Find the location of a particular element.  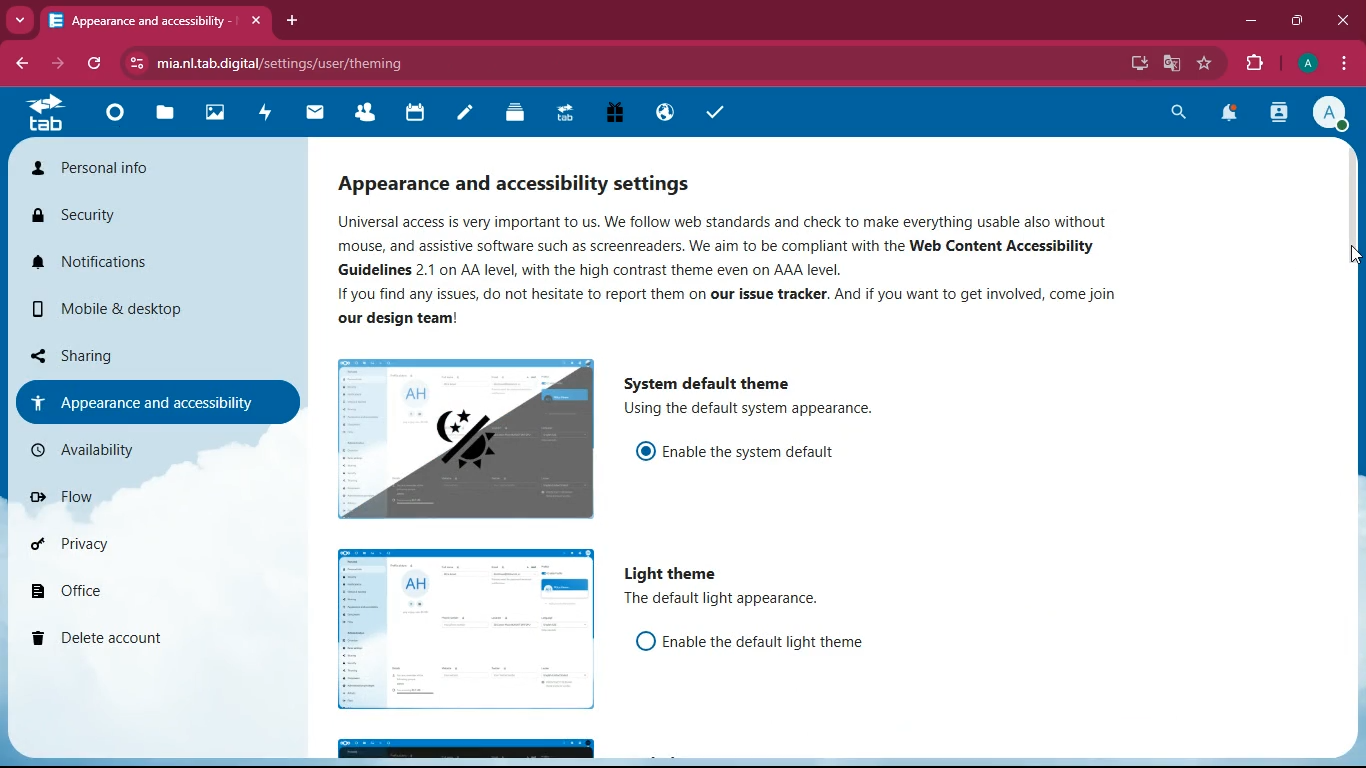

more is located at coordinates (20, 20).